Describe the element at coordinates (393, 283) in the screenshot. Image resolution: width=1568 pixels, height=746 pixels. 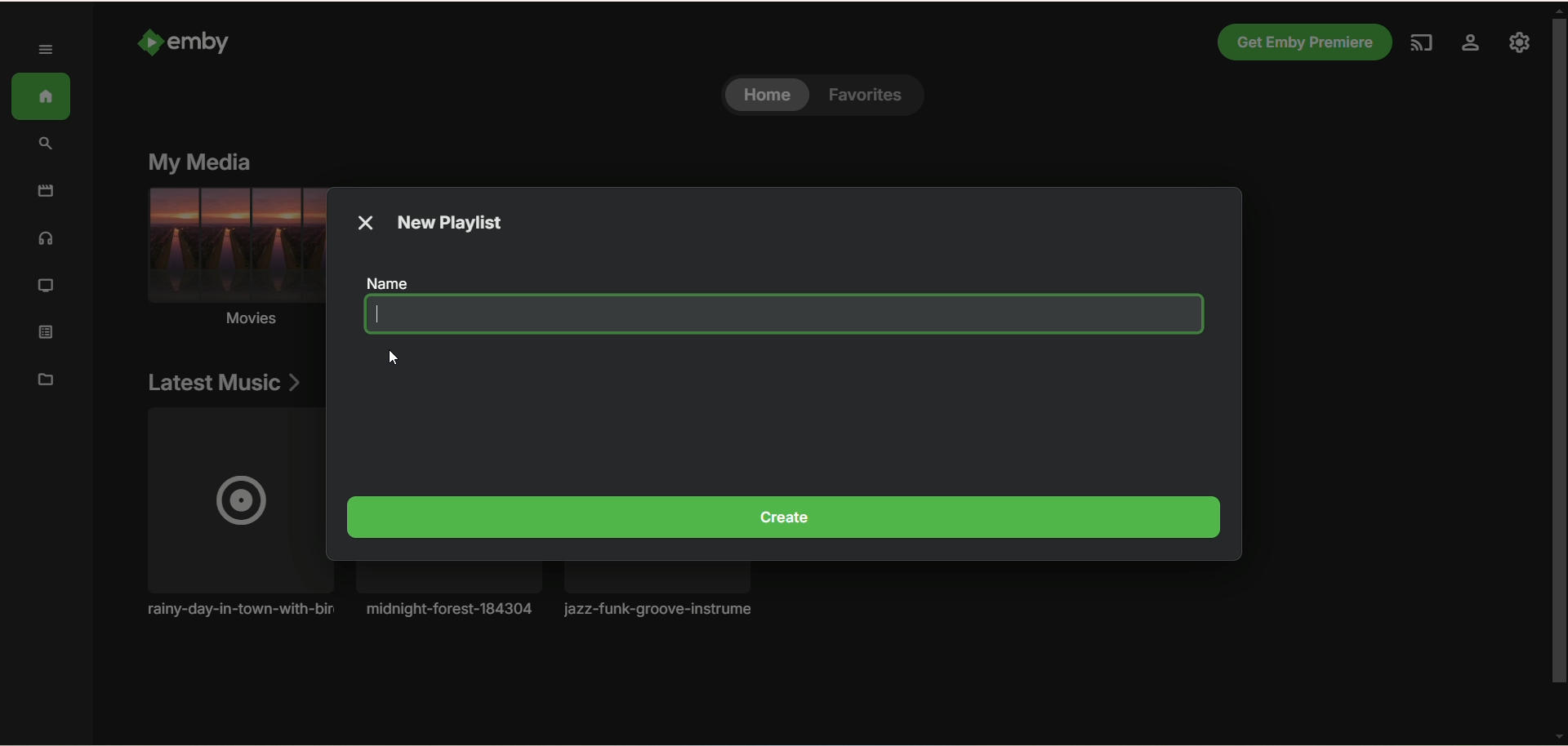
I see `name` at that location.